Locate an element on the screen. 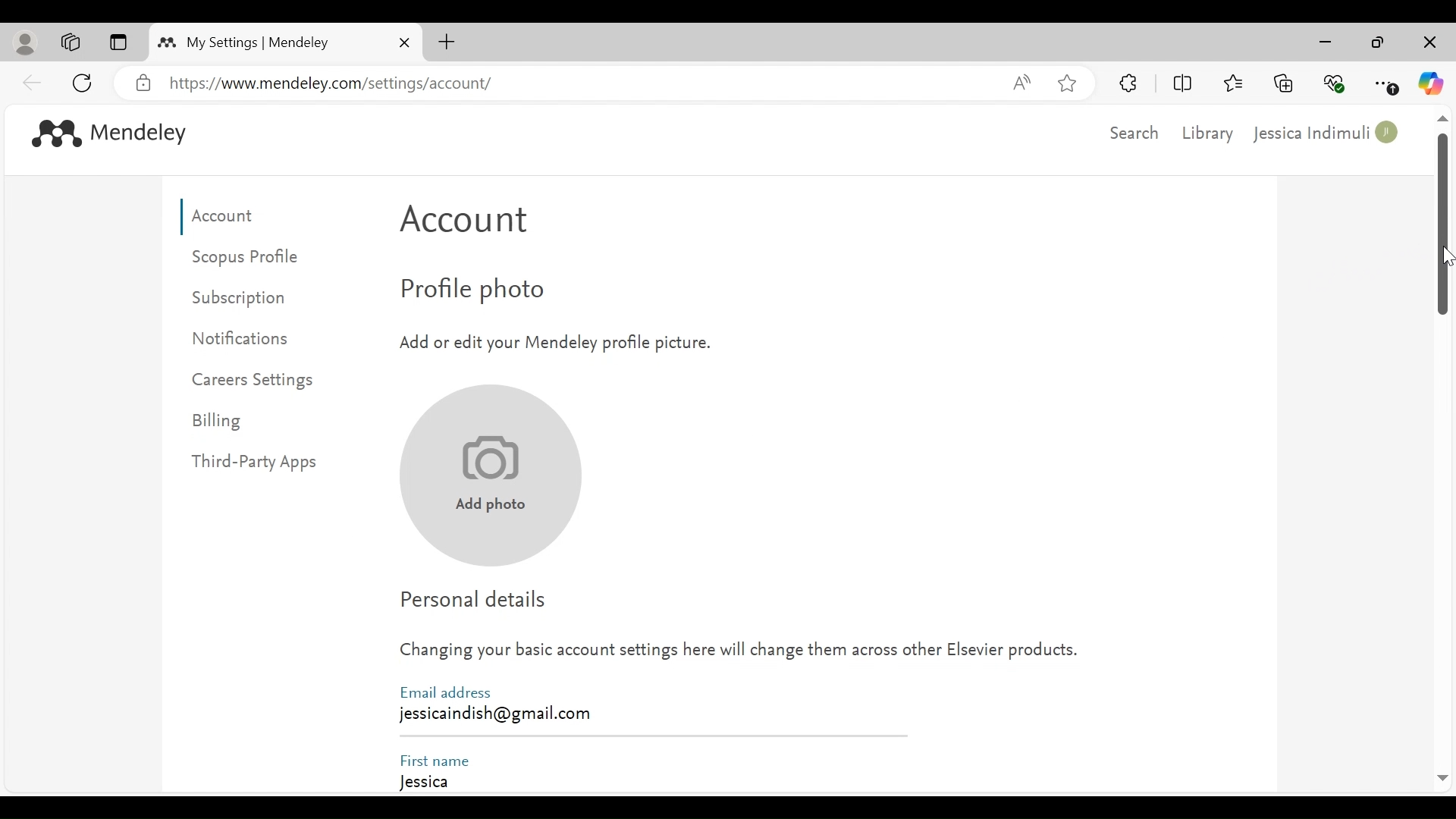  Collections is located at coordinates (1284, 82).